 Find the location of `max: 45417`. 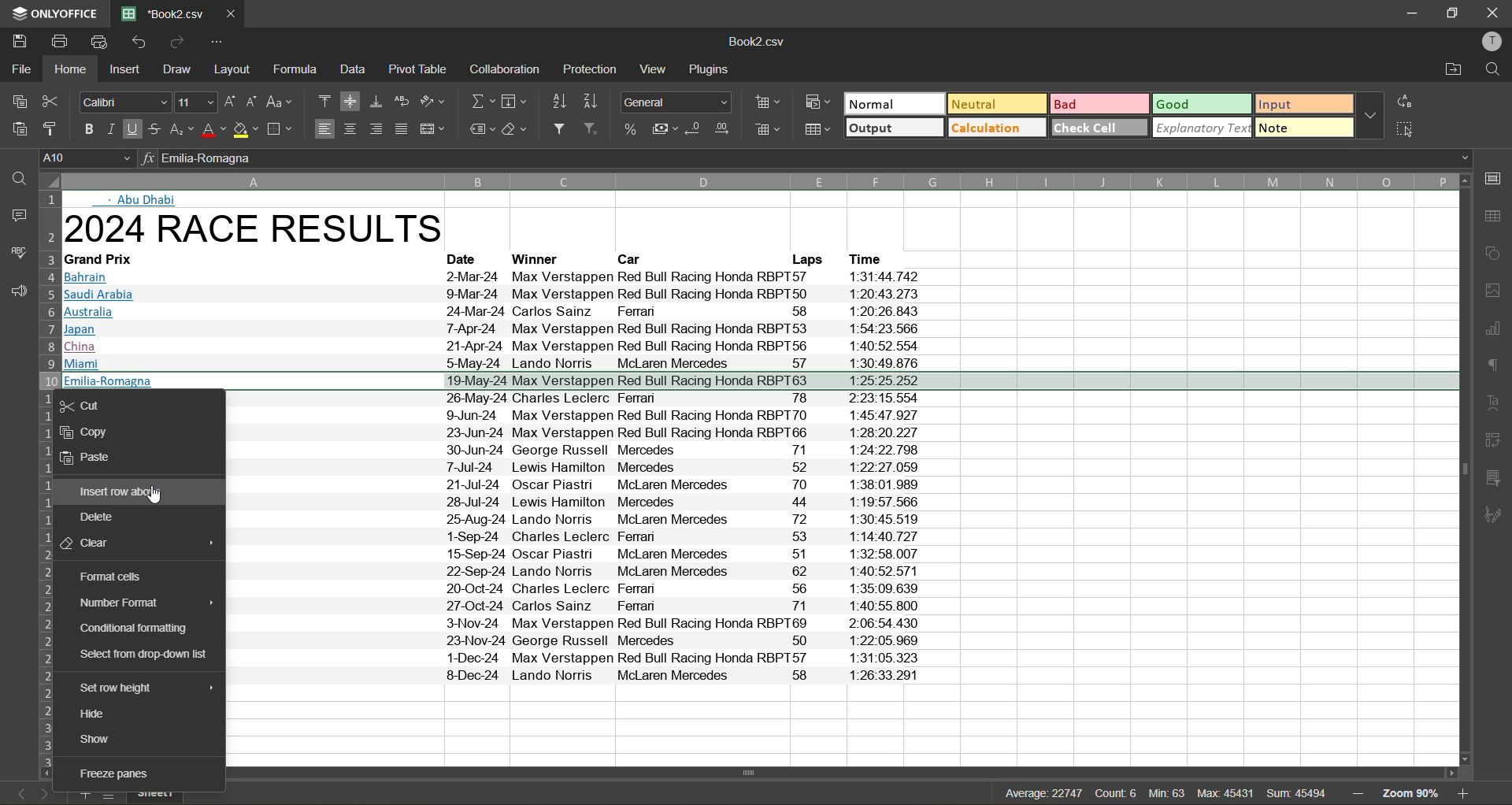

max: 45417 is located at coordinates (1228, 793).